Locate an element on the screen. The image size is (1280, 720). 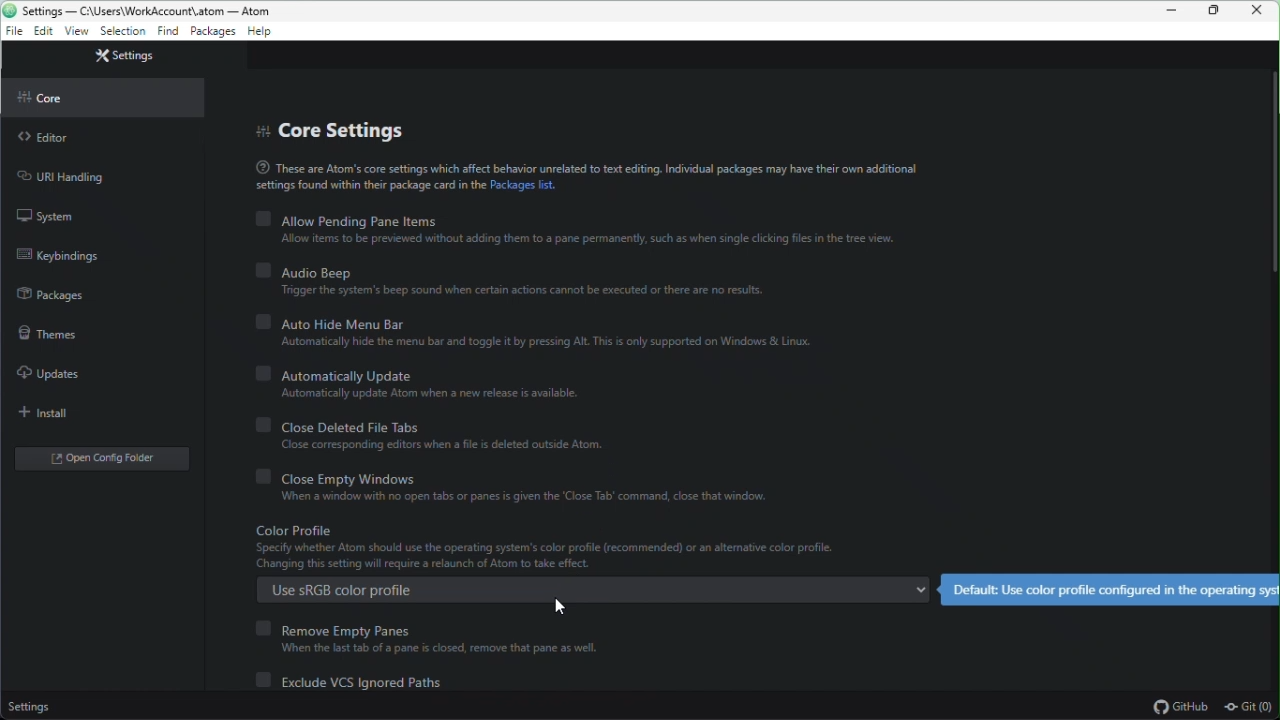
slider is located at coordinates (1269, 209).